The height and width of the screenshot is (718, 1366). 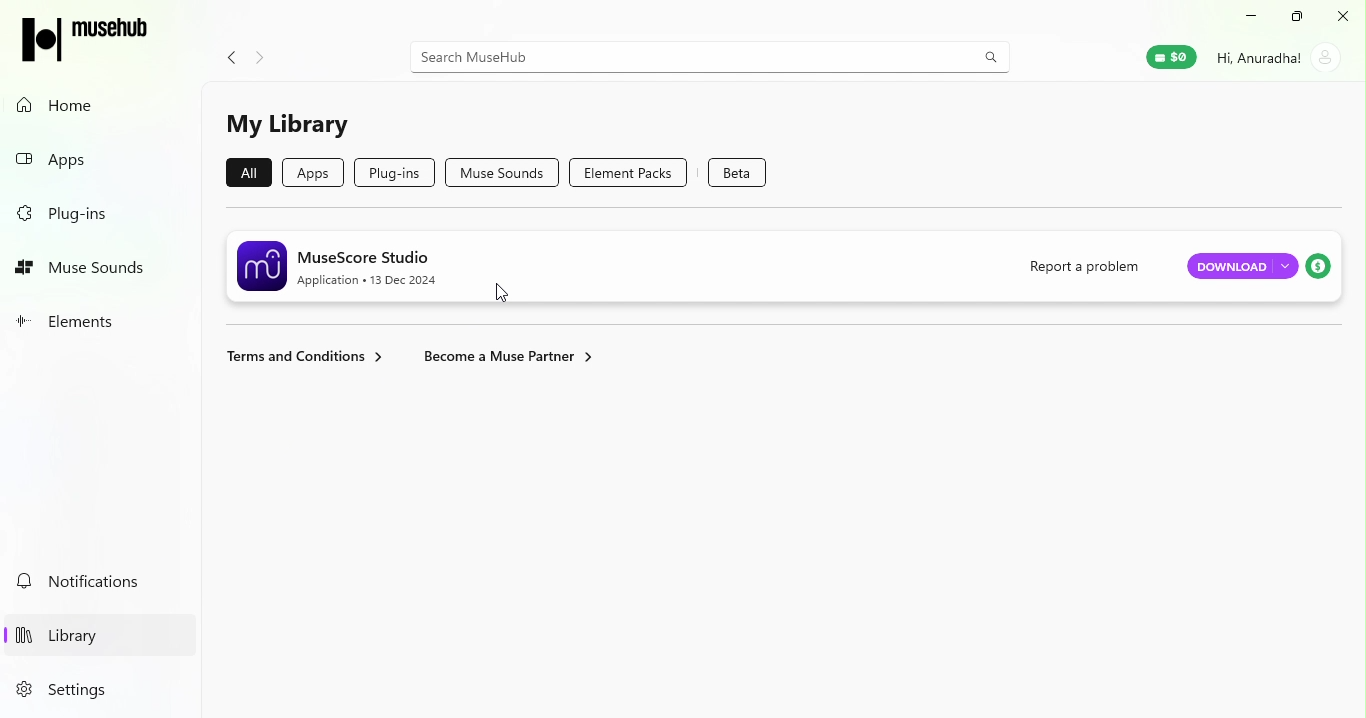 I want to click on Muse wallet, so click(x=1159, y=61).